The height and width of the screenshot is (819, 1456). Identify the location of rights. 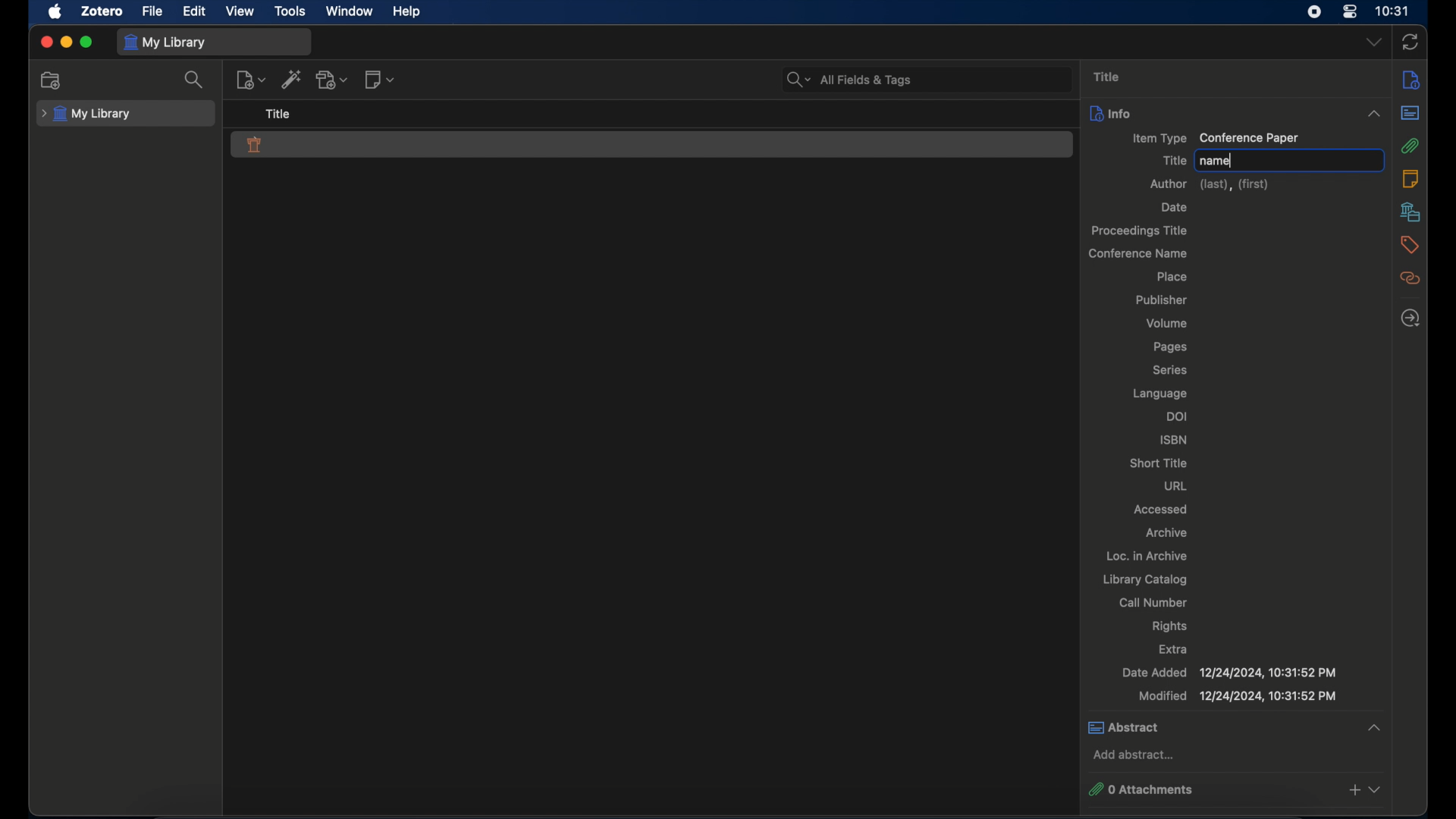
(1170, 626).